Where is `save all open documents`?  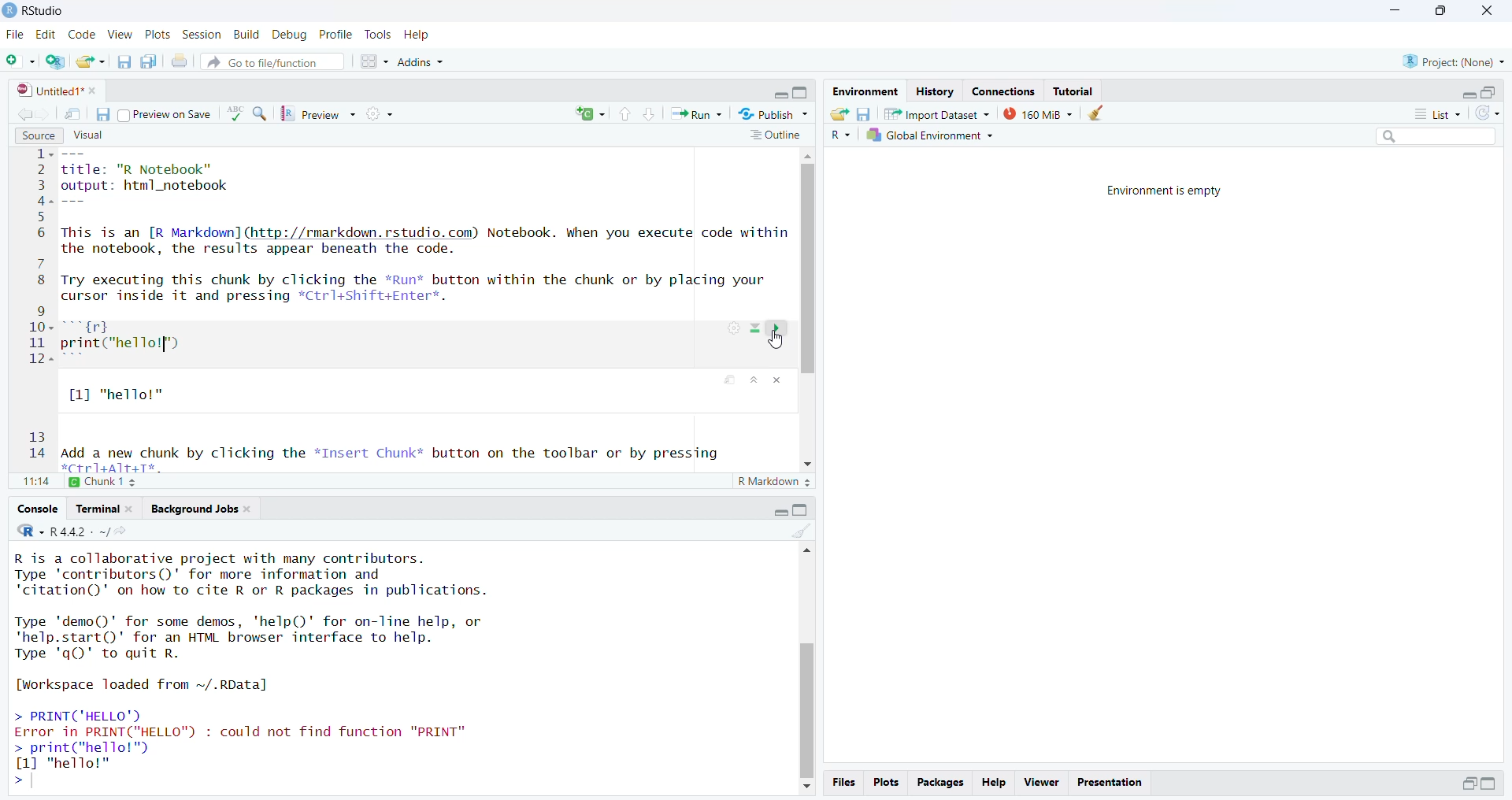 save all open documents is located at coordinates (150, 61).